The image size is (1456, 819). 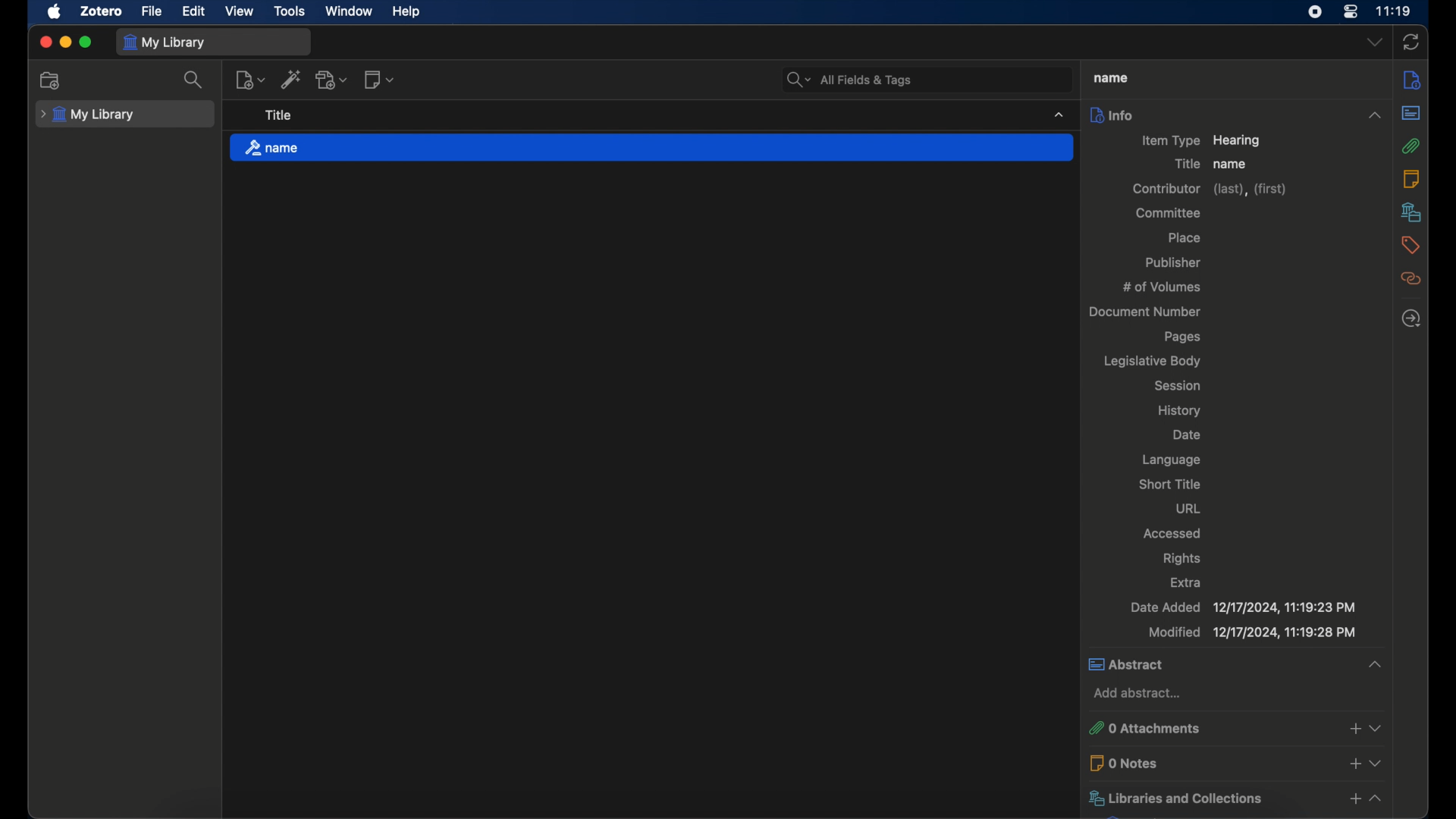 What do you see at coordinates (1168, 212) in the screenshot?
I see `committee` at bounding box center [1168, 212].